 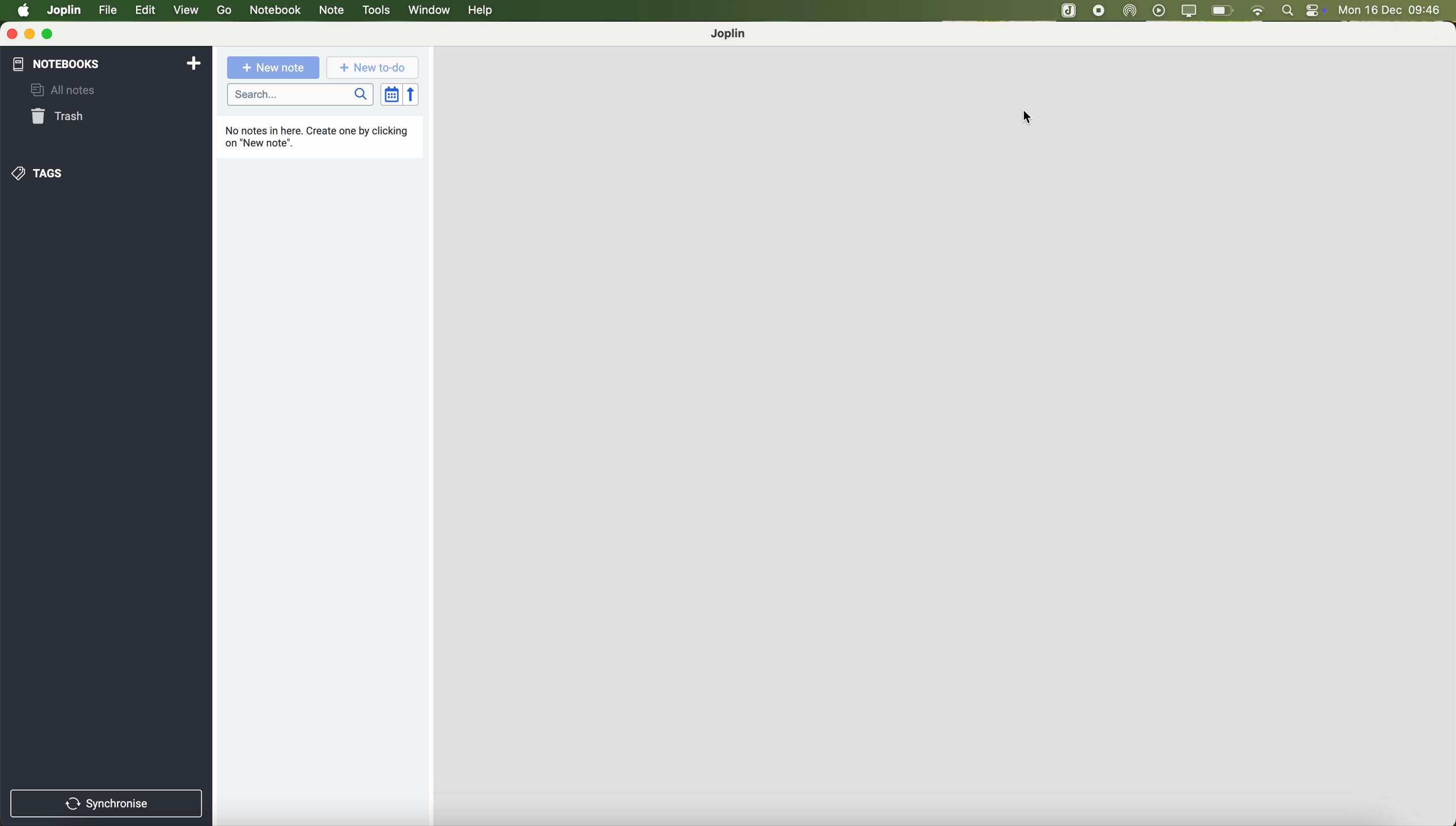 I want to click on Joplin, so click(x=731, y=34).